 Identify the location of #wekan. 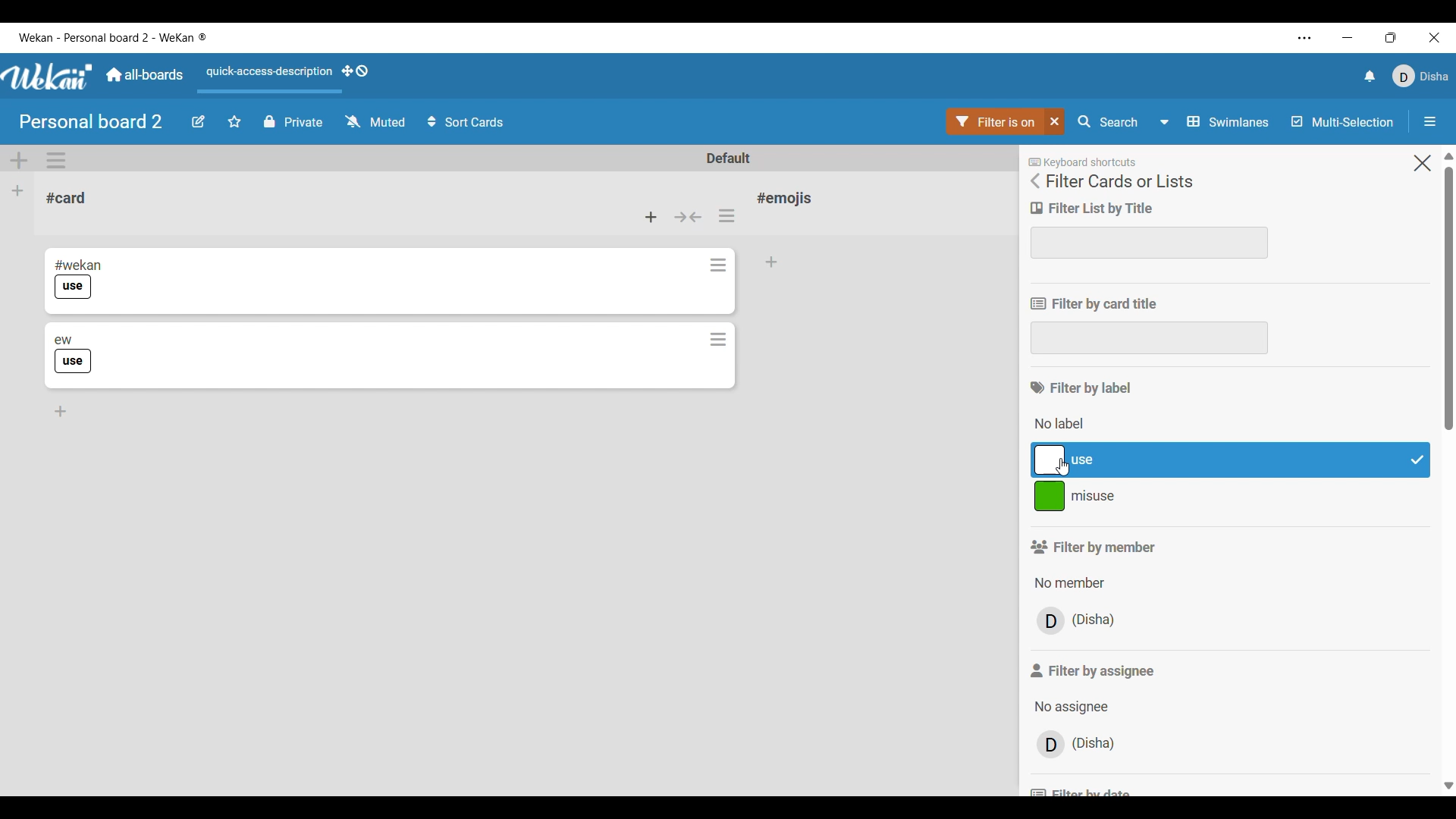
(79, 264).